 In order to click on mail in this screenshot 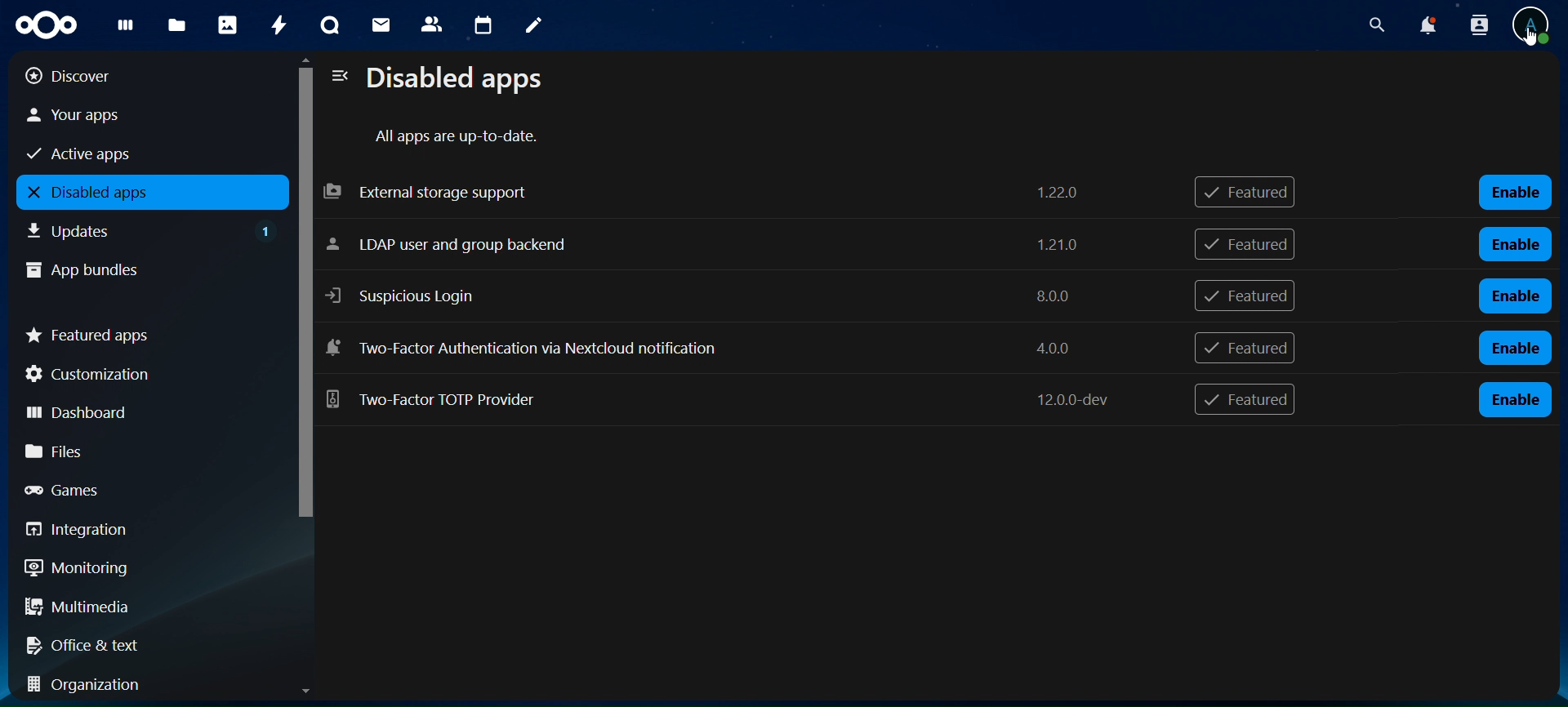, I will do `click(381, 23)`.